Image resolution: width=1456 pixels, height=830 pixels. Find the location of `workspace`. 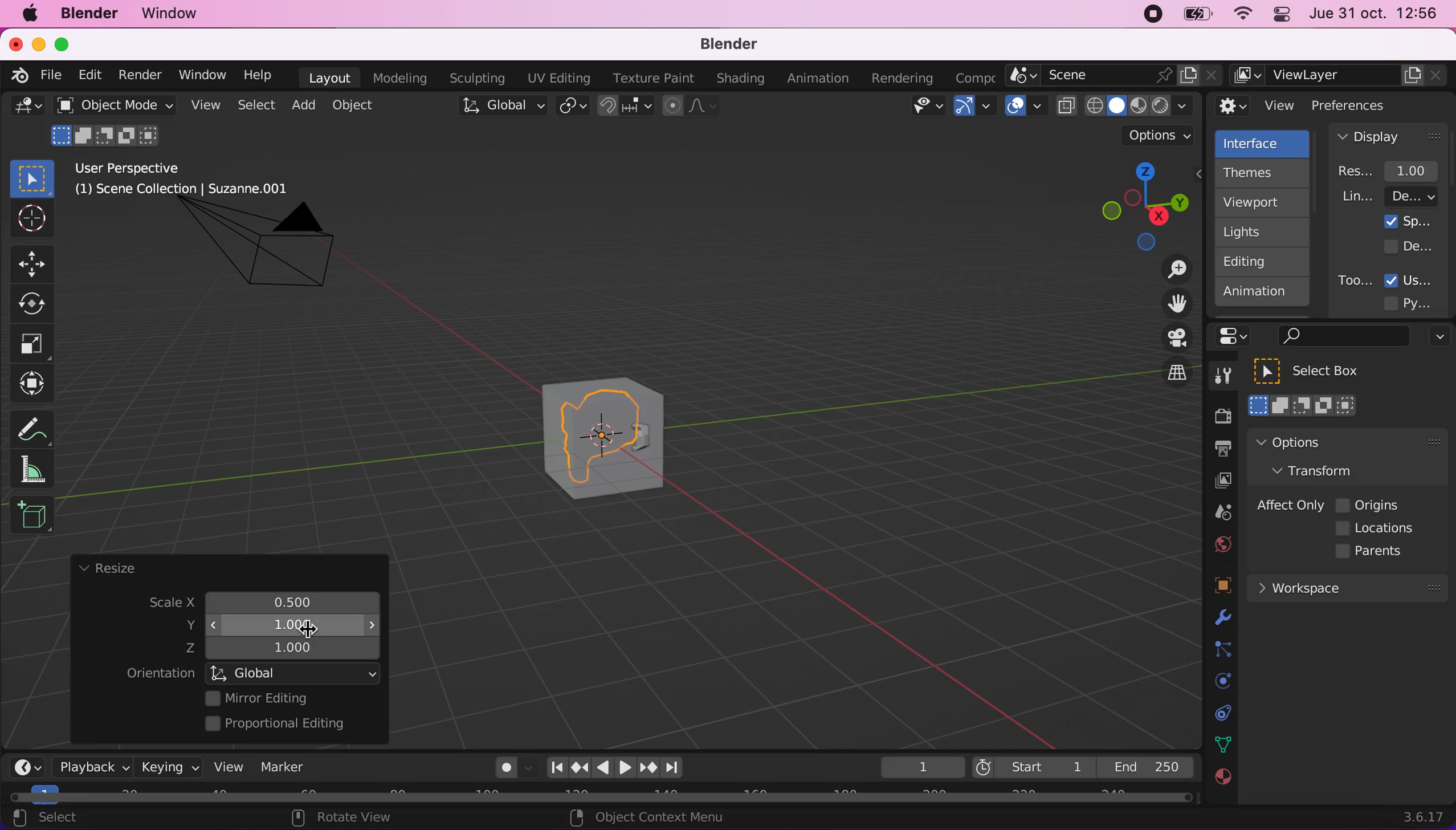

workspace is located at coordinates (1347, 587).